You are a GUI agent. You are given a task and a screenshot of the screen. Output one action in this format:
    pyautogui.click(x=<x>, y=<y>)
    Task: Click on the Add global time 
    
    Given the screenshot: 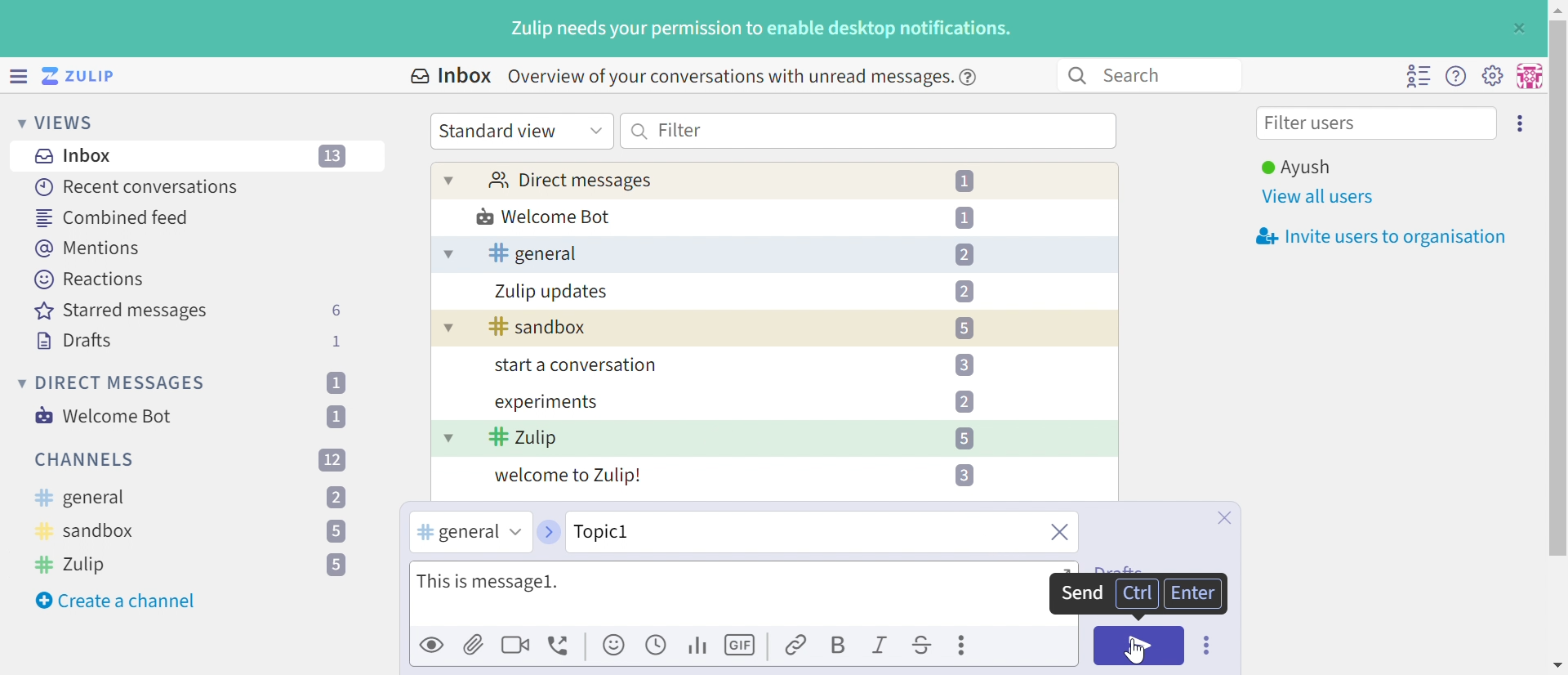 What is the action you would take?
    pyautogui.click(x=659, y=644)
    